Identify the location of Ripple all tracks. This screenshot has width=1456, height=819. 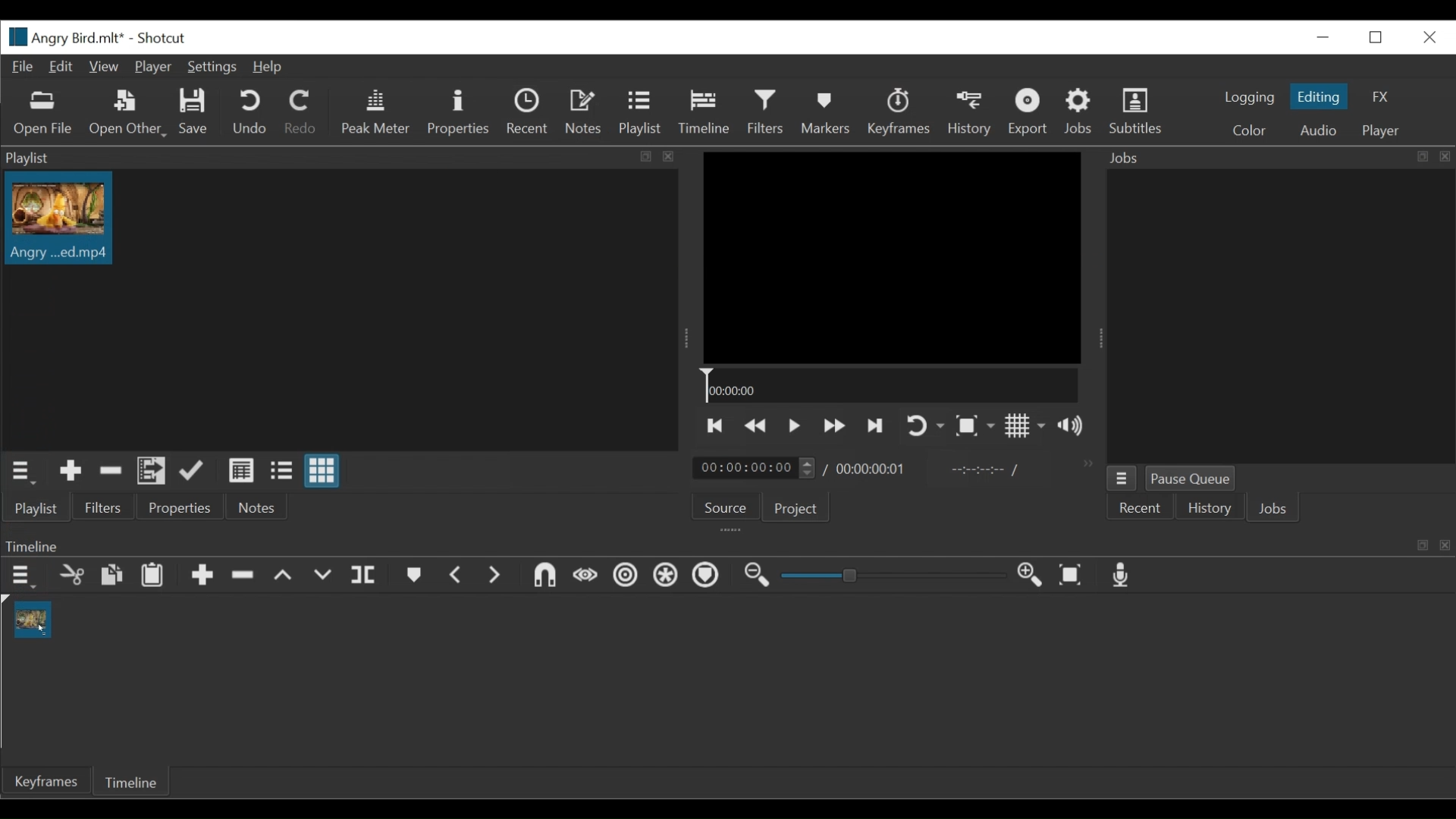
(667, 576).